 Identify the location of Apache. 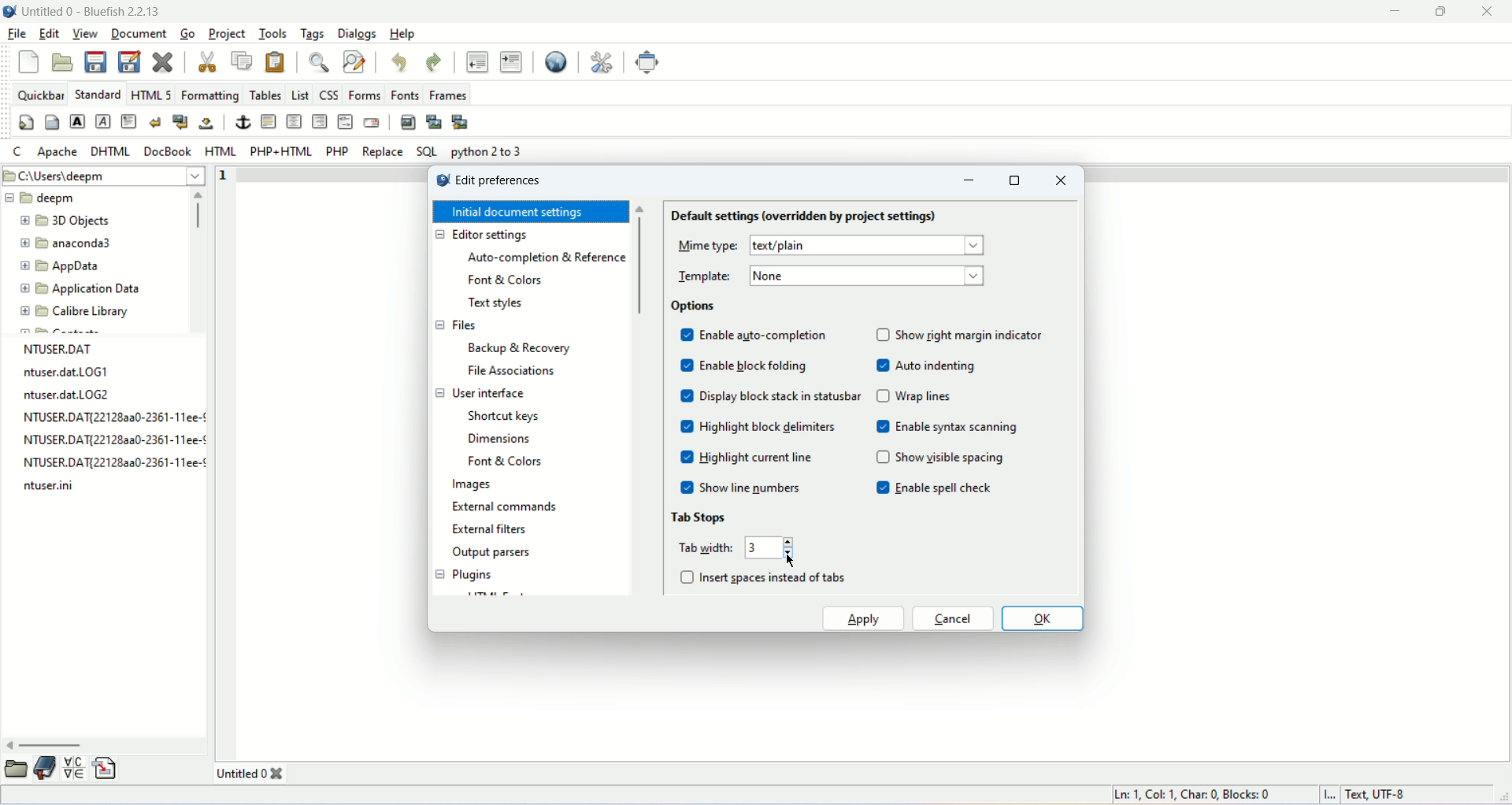
(55, 150).